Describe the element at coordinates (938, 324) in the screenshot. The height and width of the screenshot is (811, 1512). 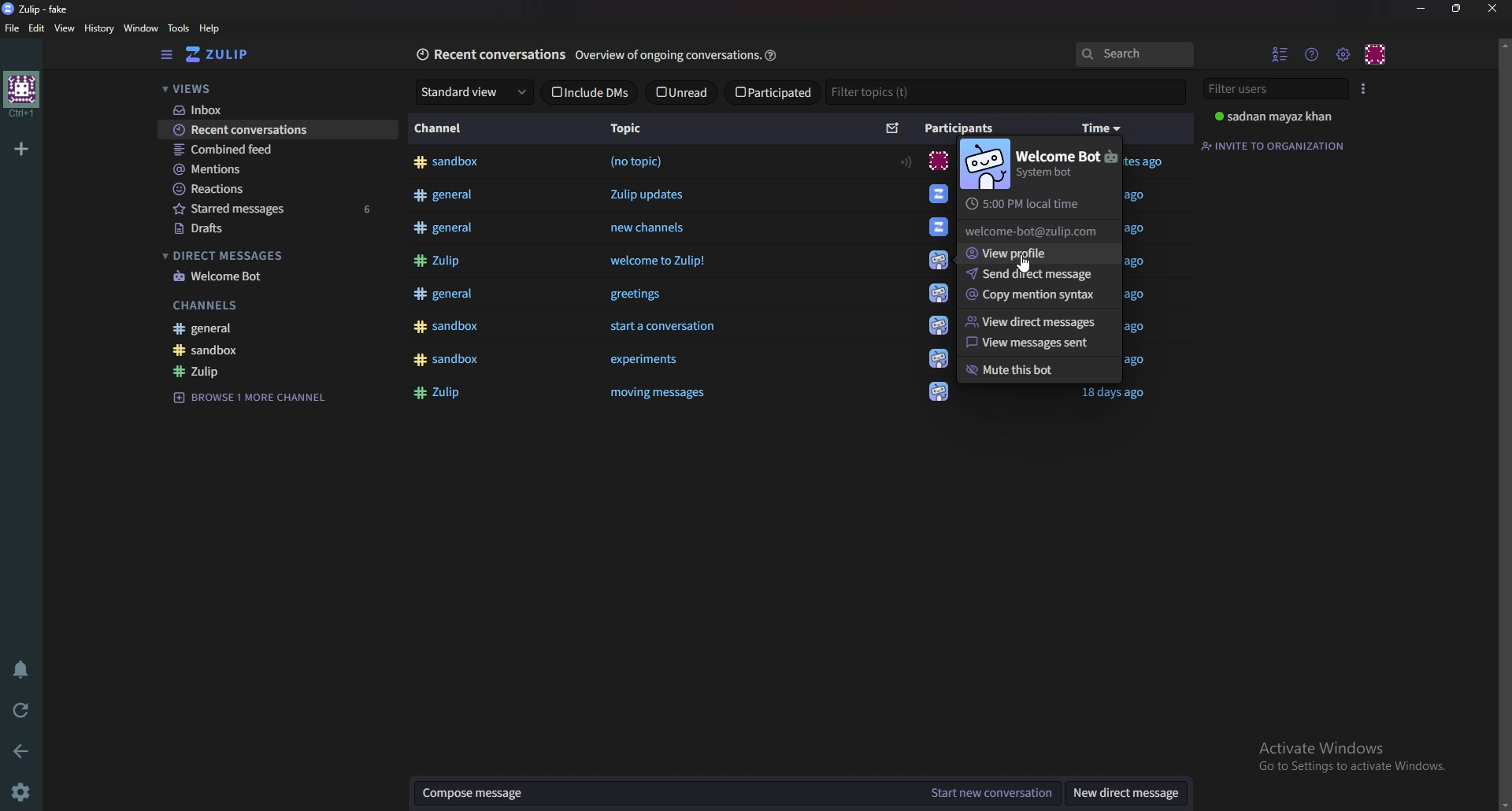
I see `icon` at that location.